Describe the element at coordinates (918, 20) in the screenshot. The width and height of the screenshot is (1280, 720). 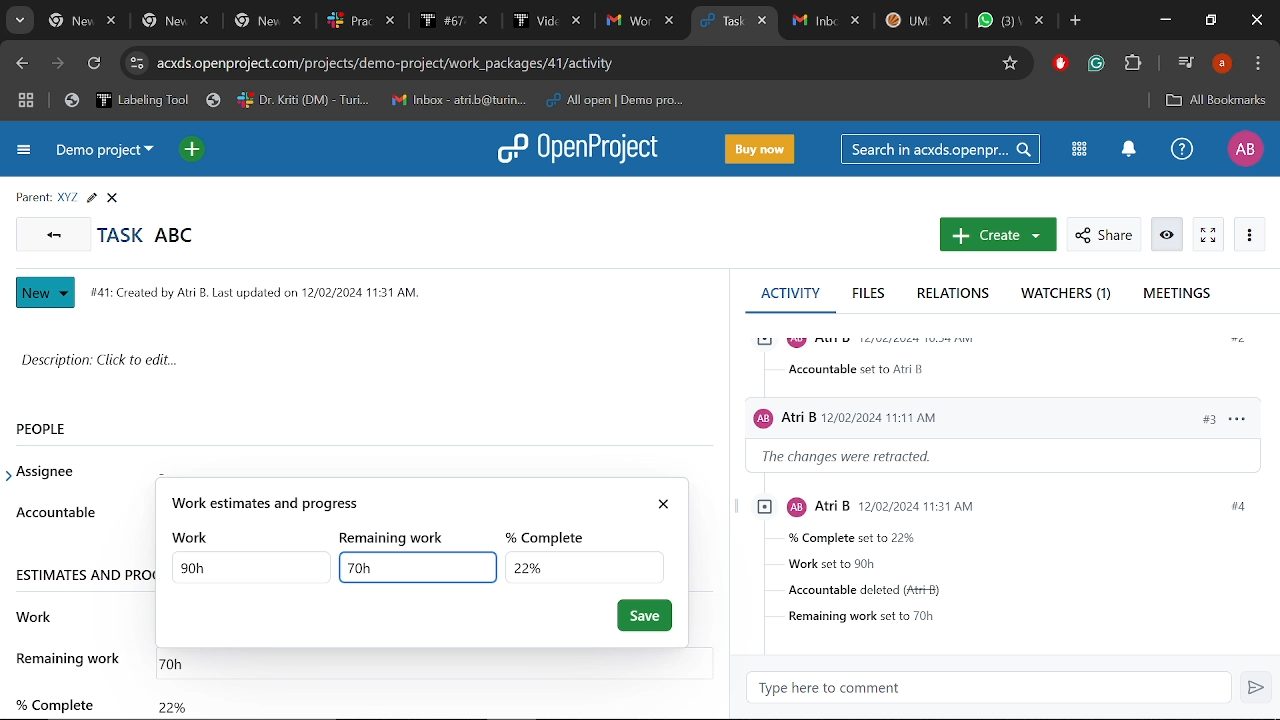
I see `Other tabs` at that location.